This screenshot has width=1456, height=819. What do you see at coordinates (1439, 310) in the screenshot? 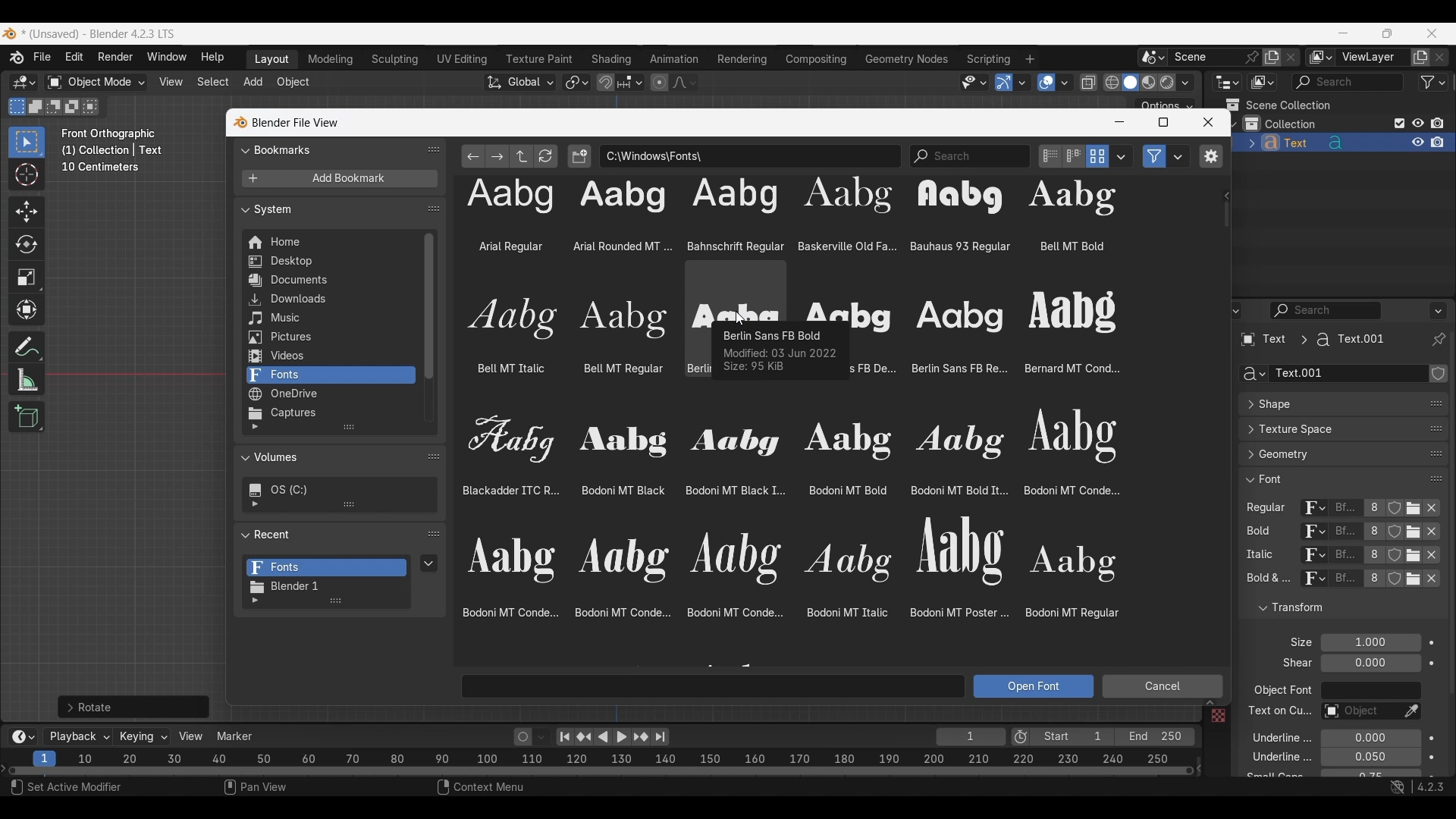
I see `Options for the properties editor` at bounding box center [1439, 310].